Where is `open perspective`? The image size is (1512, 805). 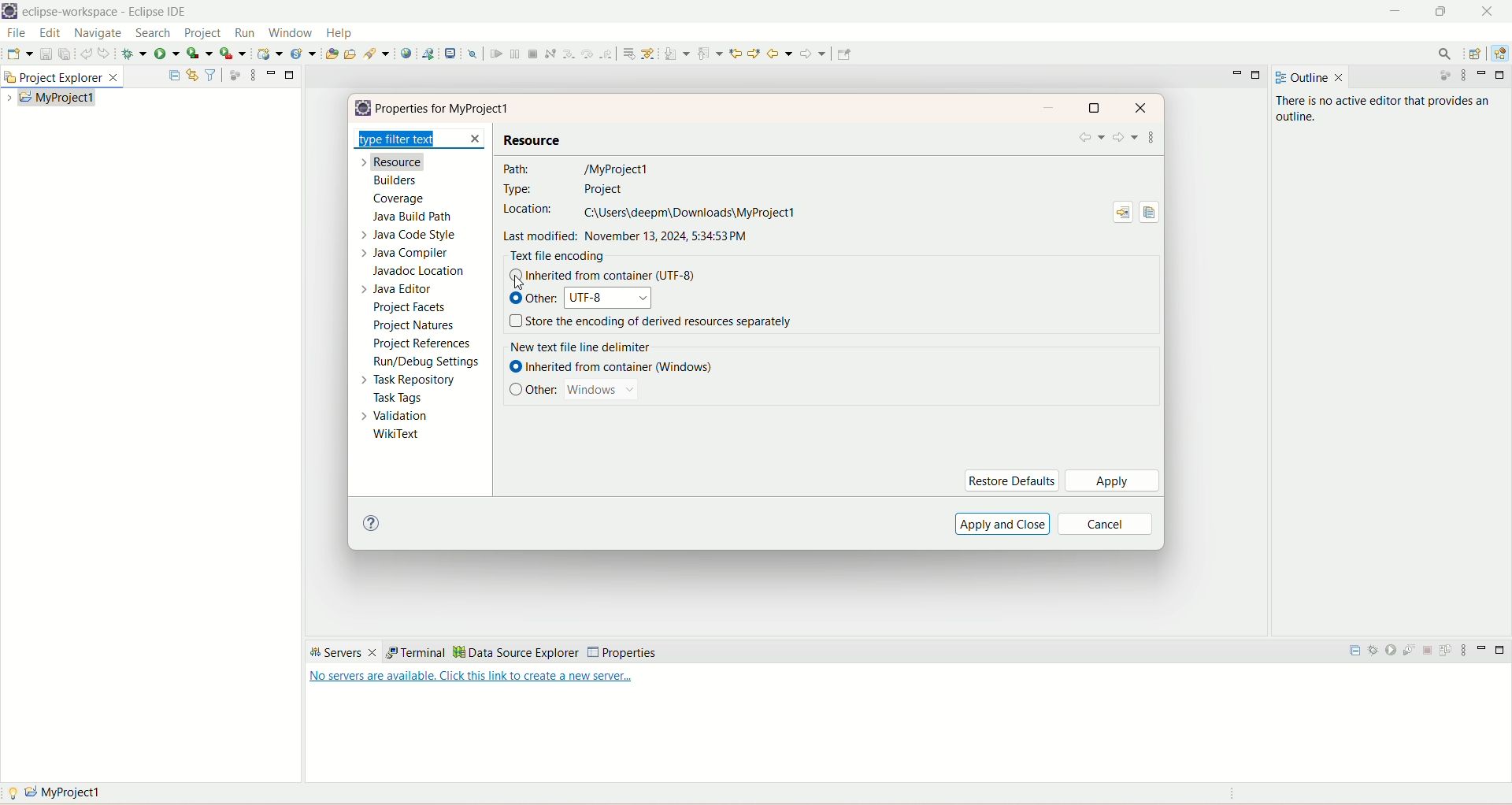 open perspective is located at coordinates (1475, 53).